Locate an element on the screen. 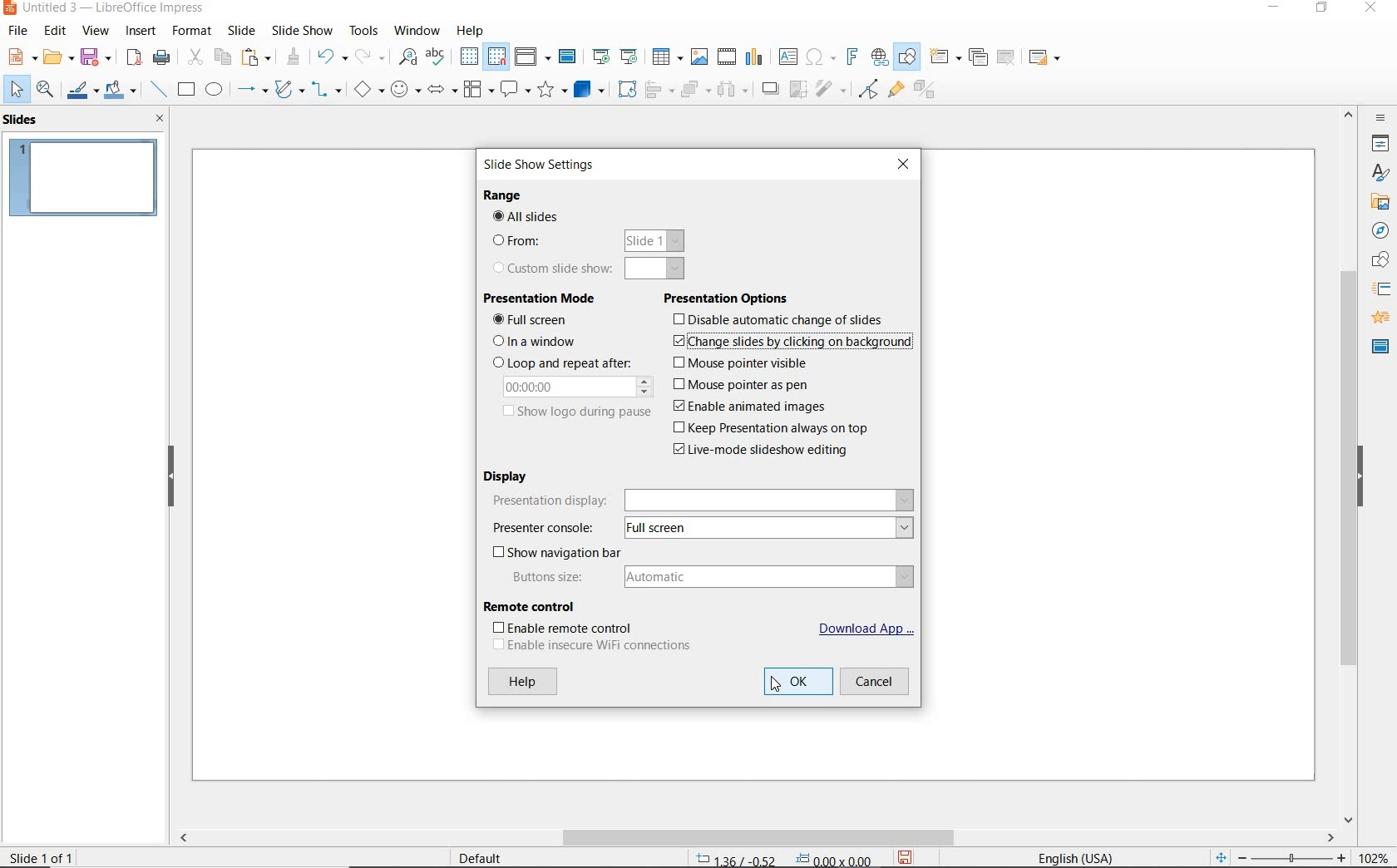 Image resolution: width=1397 pixels, height=868 pixels. SNAP TO GRID is located at coordinates (500, 57).